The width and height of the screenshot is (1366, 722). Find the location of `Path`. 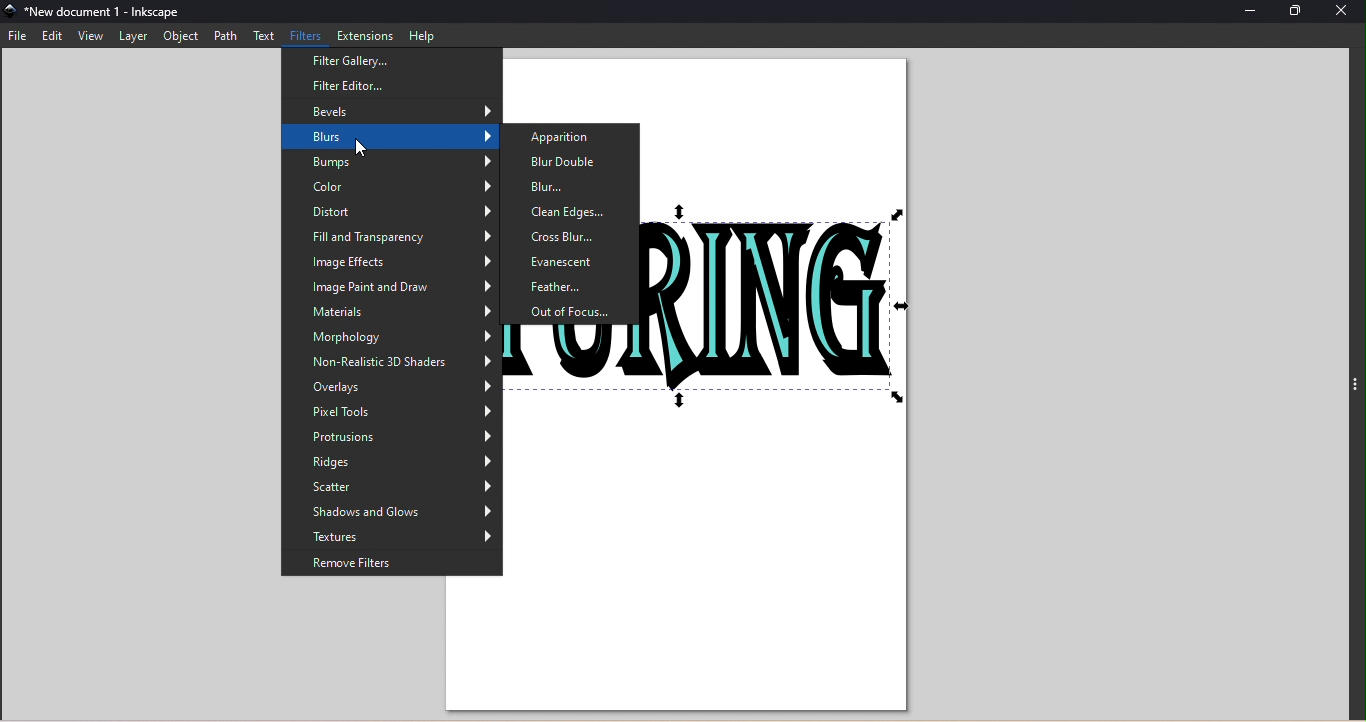

Path is located at coordinates (228, 36).